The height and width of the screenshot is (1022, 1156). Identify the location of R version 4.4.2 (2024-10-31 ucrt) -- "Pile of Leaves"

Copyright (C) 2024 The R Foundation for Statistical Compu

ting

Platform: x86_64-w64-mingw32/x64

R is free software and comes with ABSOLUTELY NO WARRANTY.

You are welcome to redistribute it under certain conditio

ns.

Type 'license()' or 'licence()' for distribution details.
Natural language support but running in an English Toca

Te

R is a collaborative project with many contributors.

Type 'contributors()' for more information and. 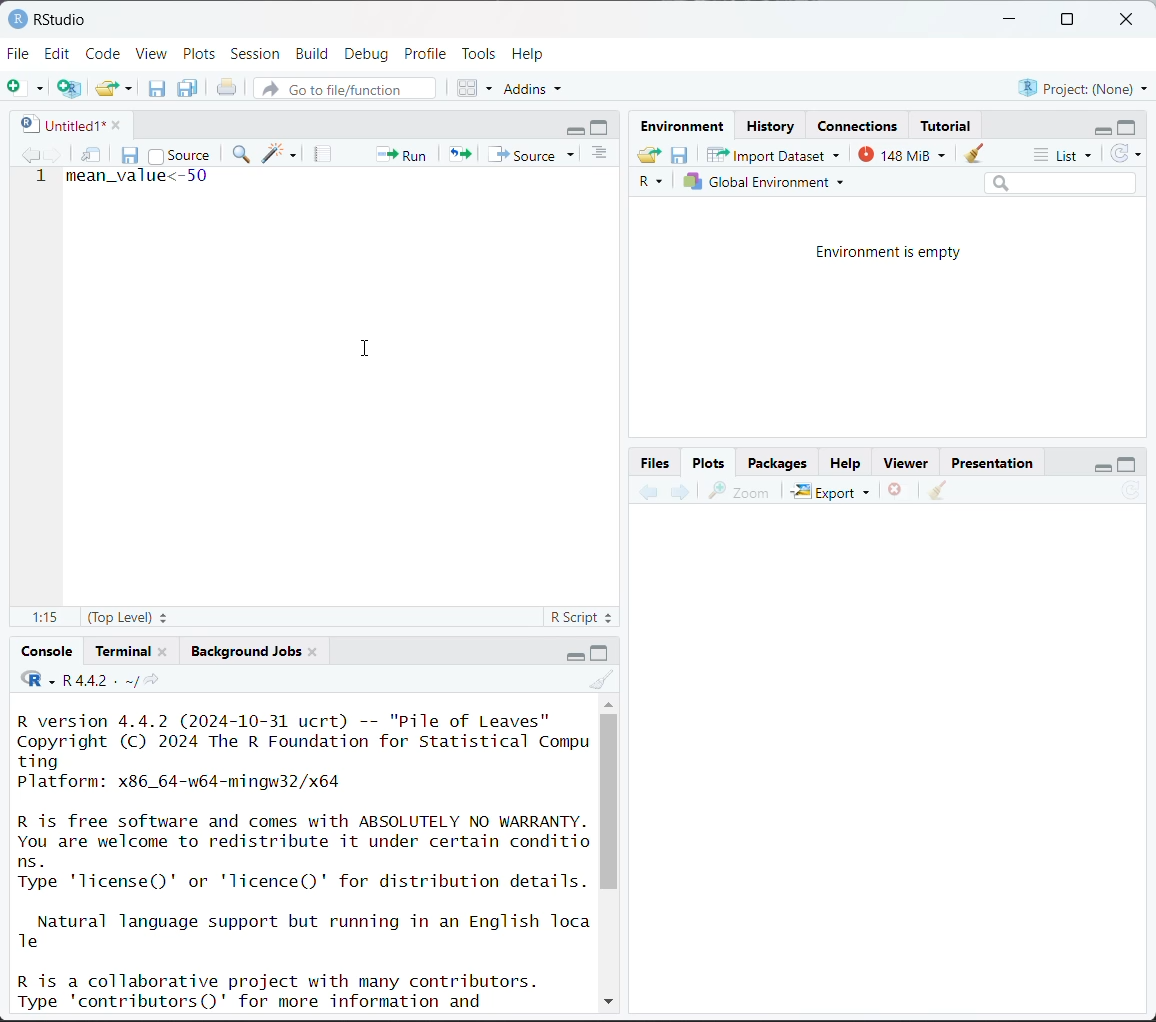
(305, 859).